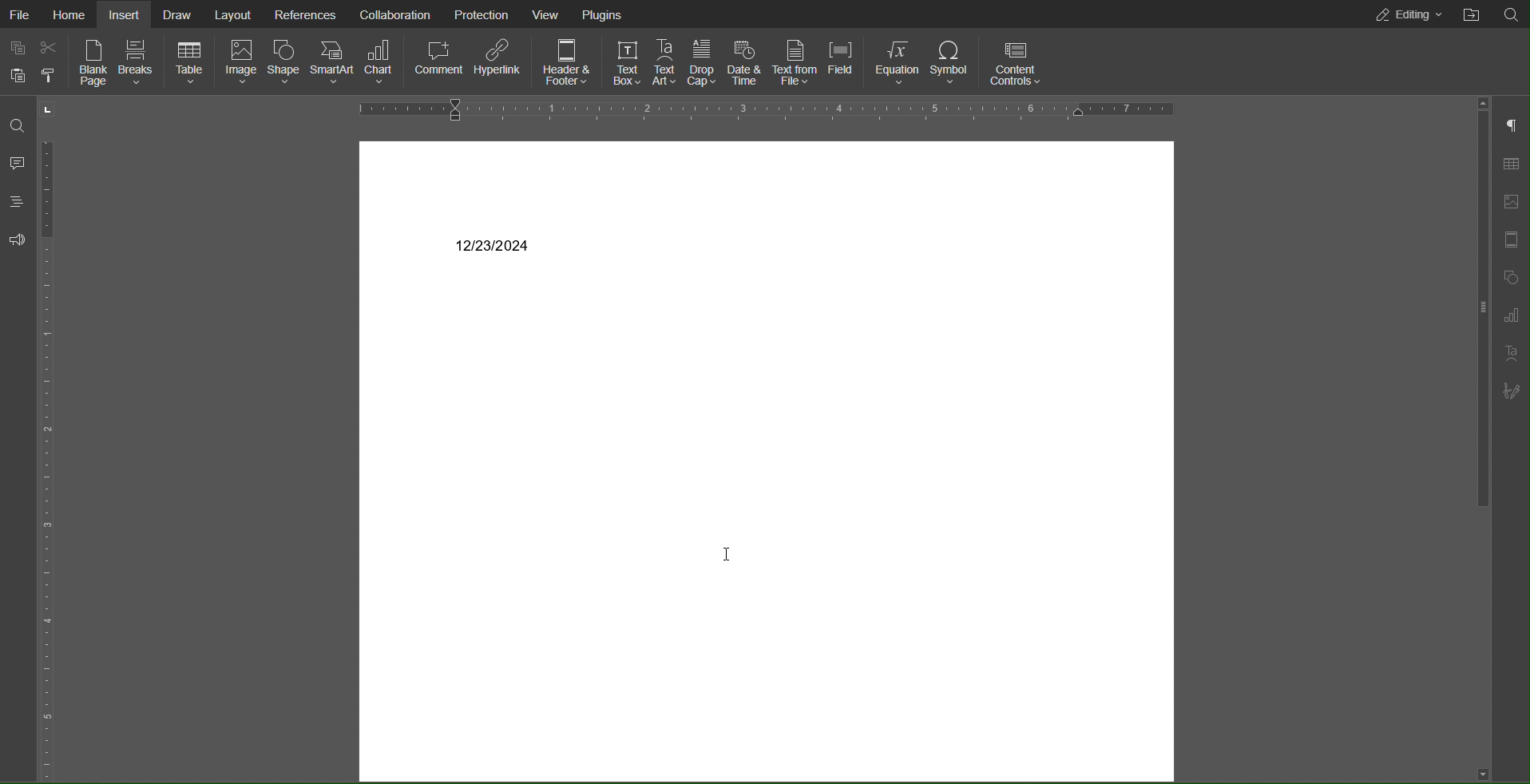 The image size is (1530, 784). What do you see at coordinates (666, 60) in the screenshot?
I see `Text Art` at bounding box center [666, 60].